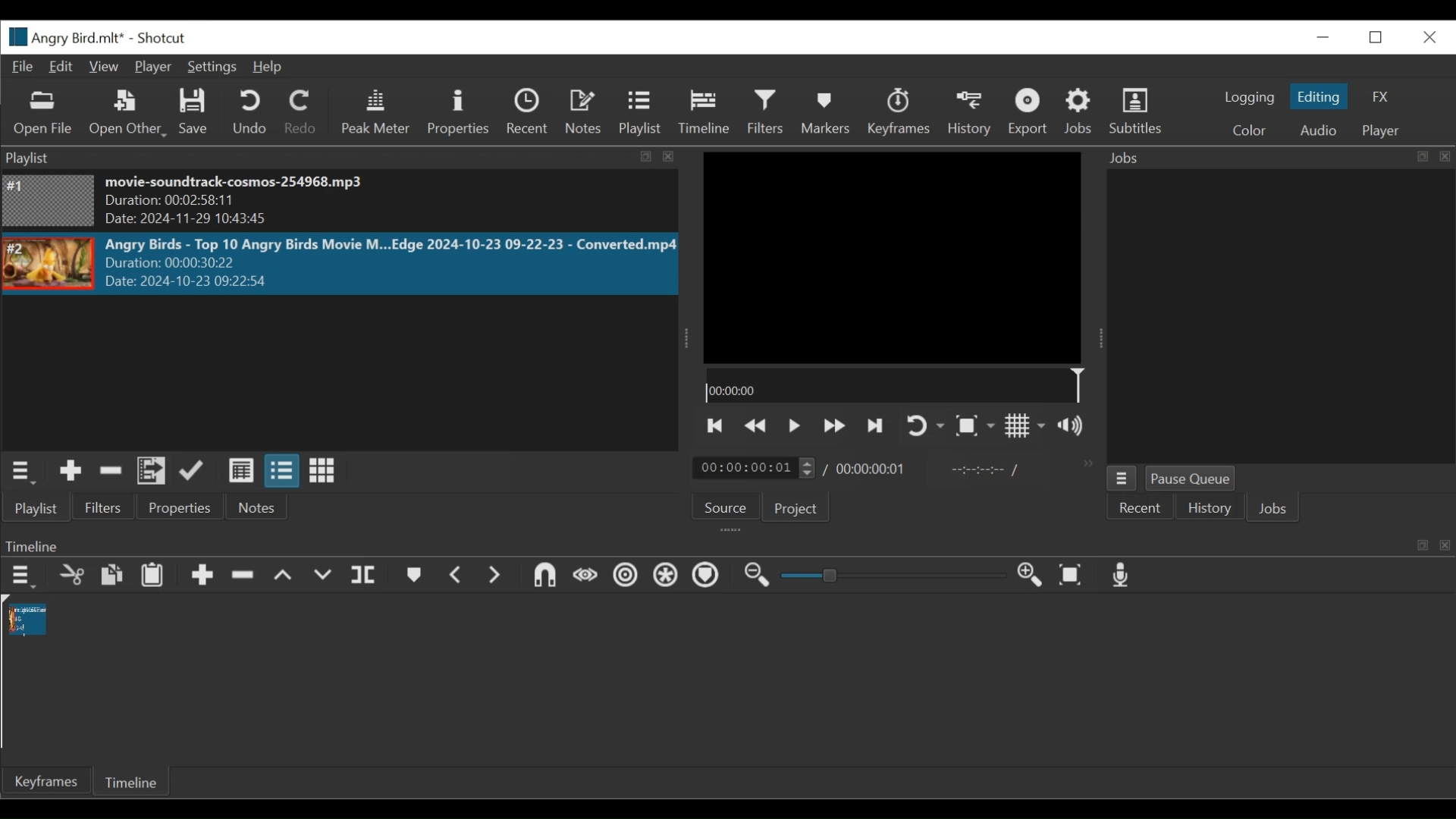 The height and width of the screenshot is (819, 1456). Describe the element at coordinates (706, 578) in the screenshot. I see `Ripple Markers` at that location.